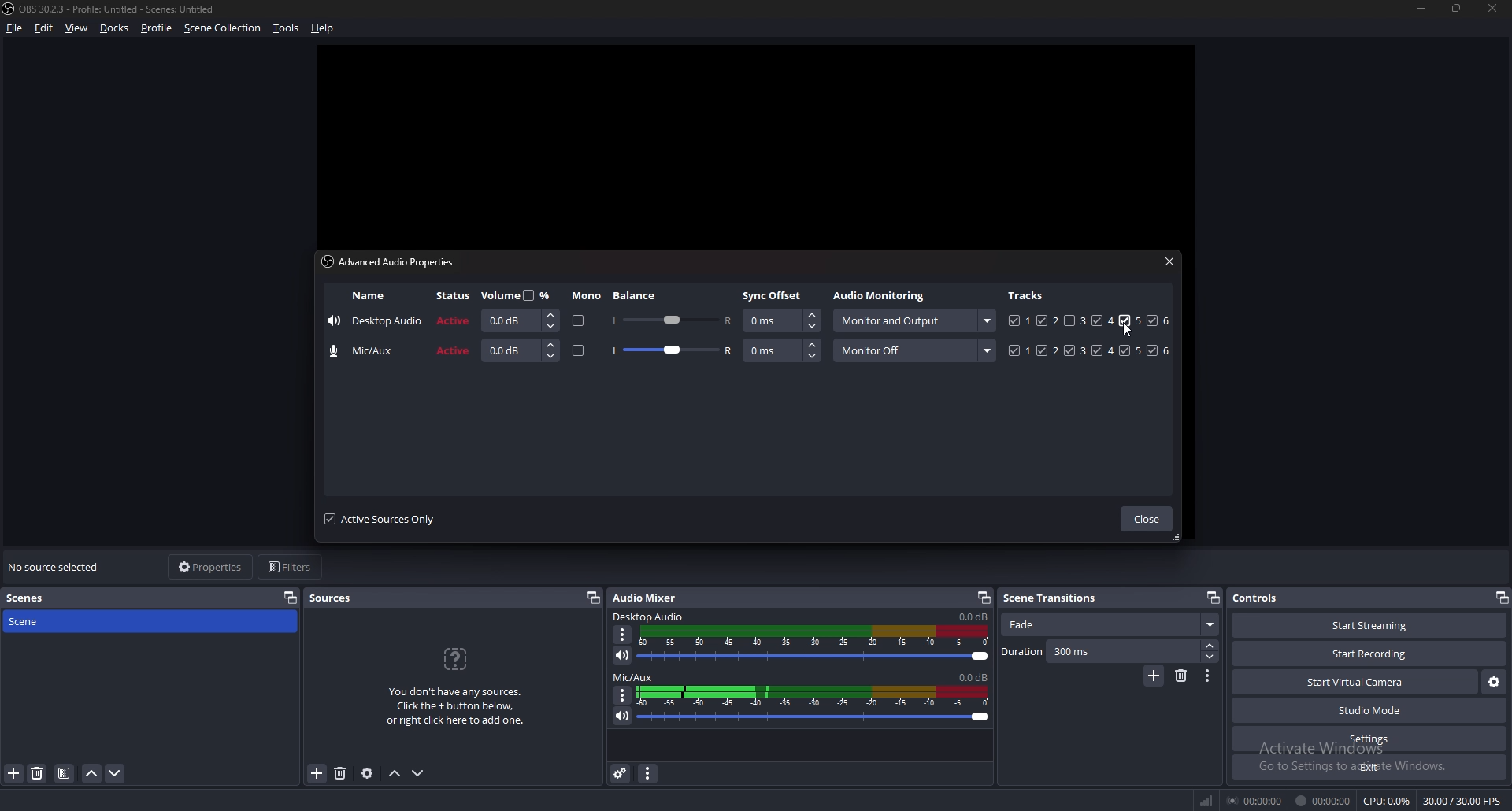 Image resolution: width=1512 pixels, height=811 pixels. What do you see at coordinates (576, 321) in the screenshot?
I see `mono` at bounding box center [576, 321].